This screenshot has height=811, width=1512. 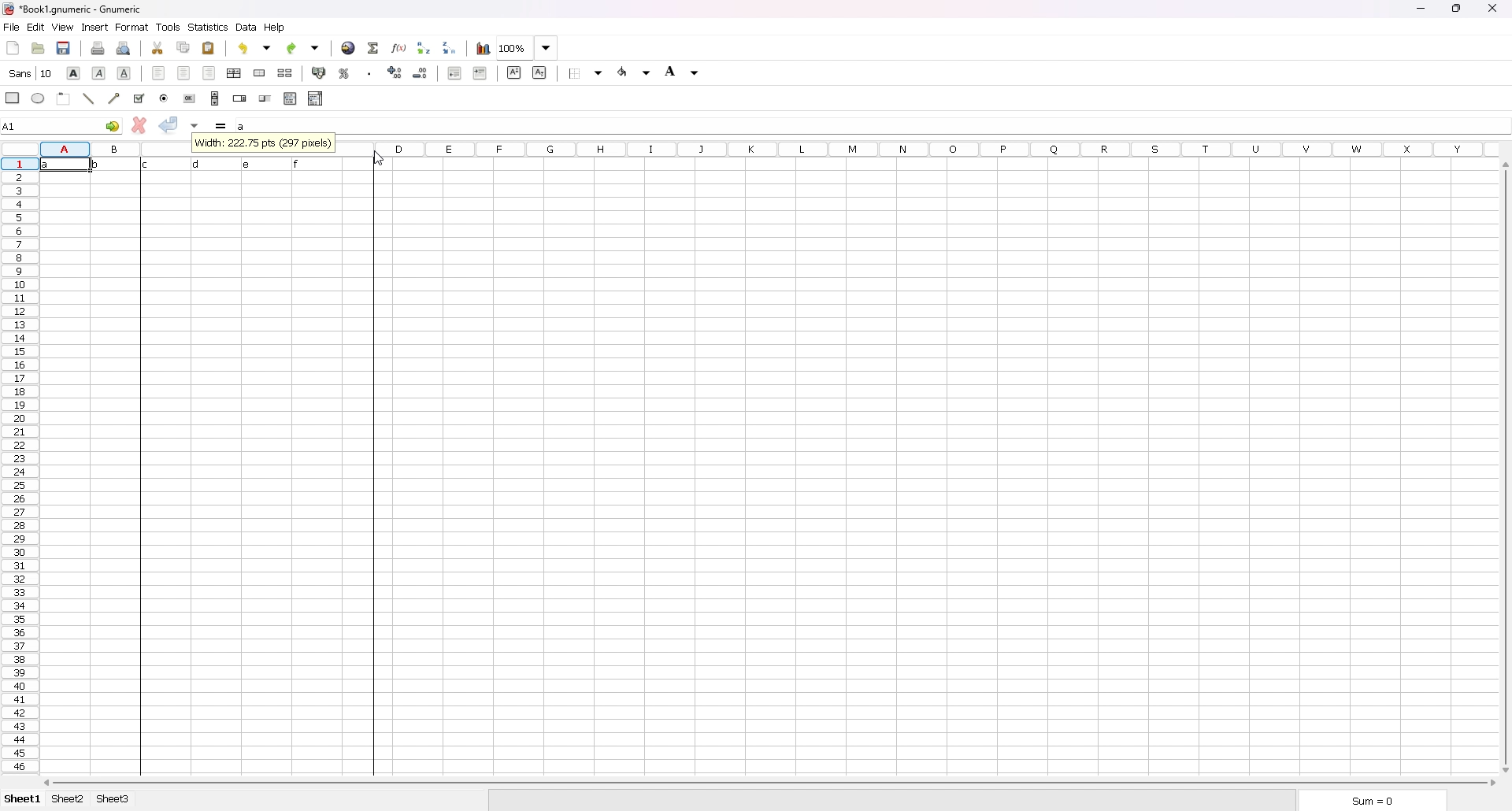 What do you see at coordinates (13, 97) in the screenshot?
I see `rectangle` at bounding box center [13, 97].